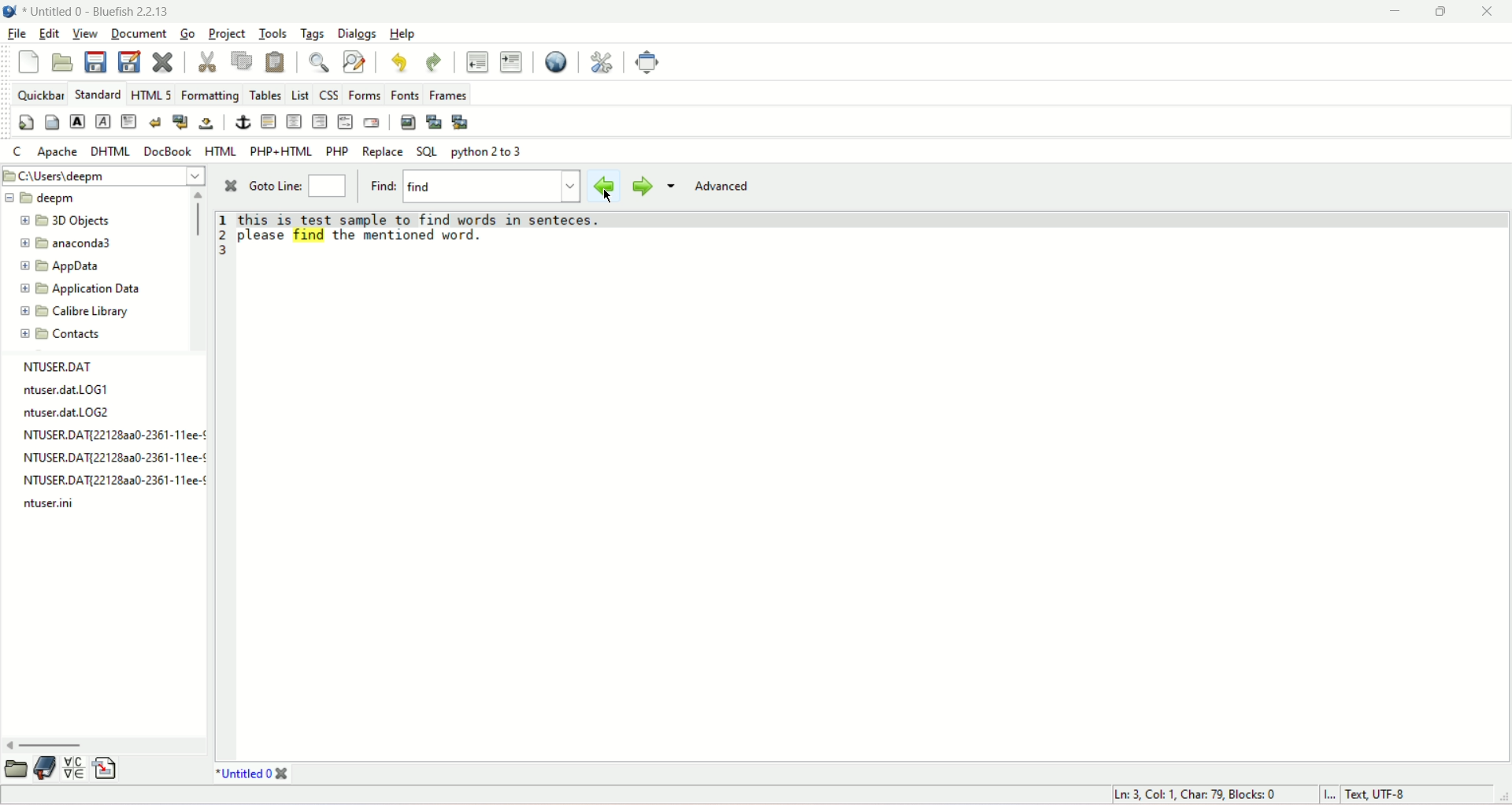 Image resolution: width=1512 pixels, height=805 pixels. What do you see at coordinates (98, 11) in the screenshot?
I see `title` at bounding box center [98, 11].